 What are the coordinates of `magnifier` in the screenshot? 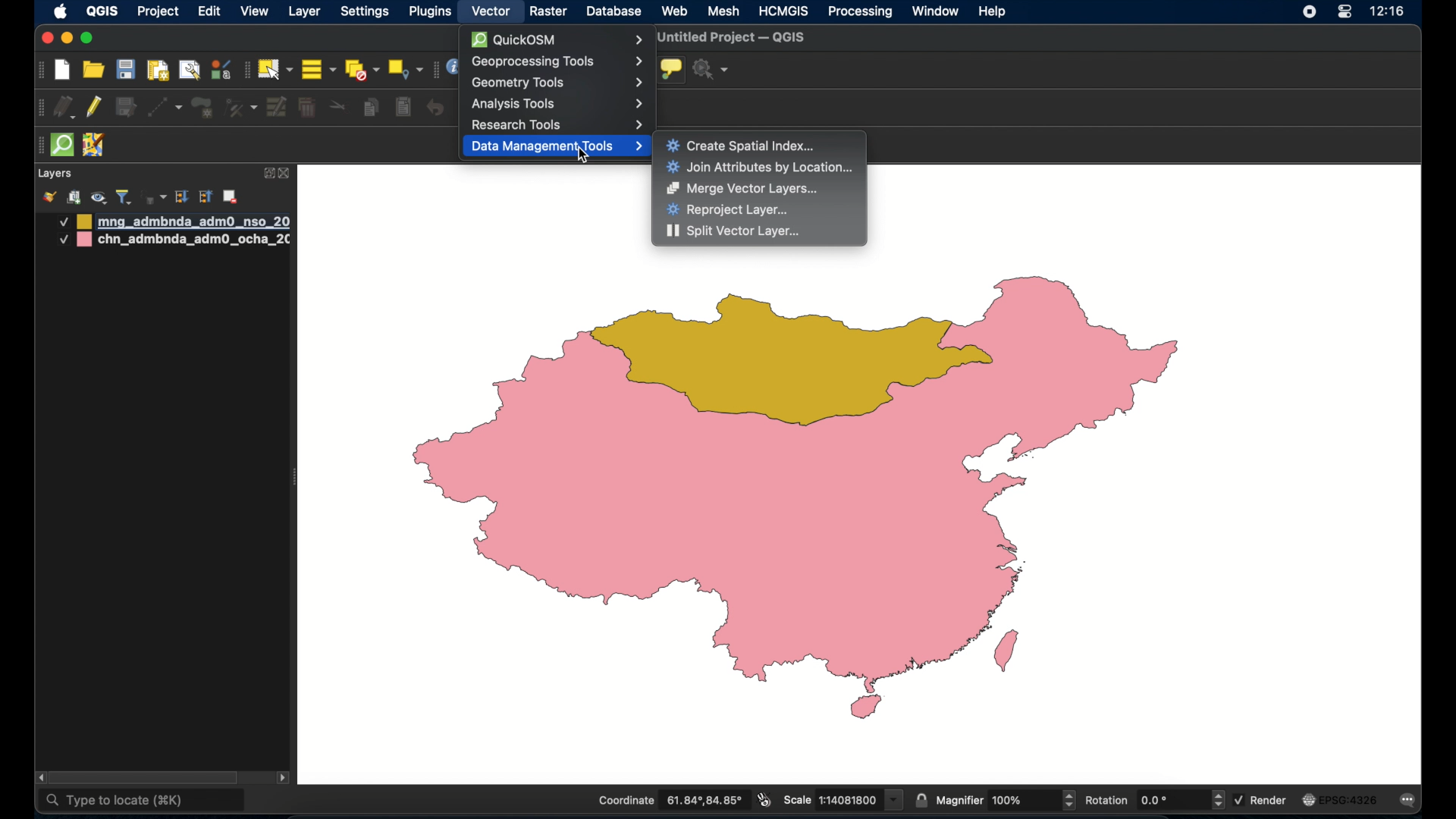 It's located at (1006, 800).